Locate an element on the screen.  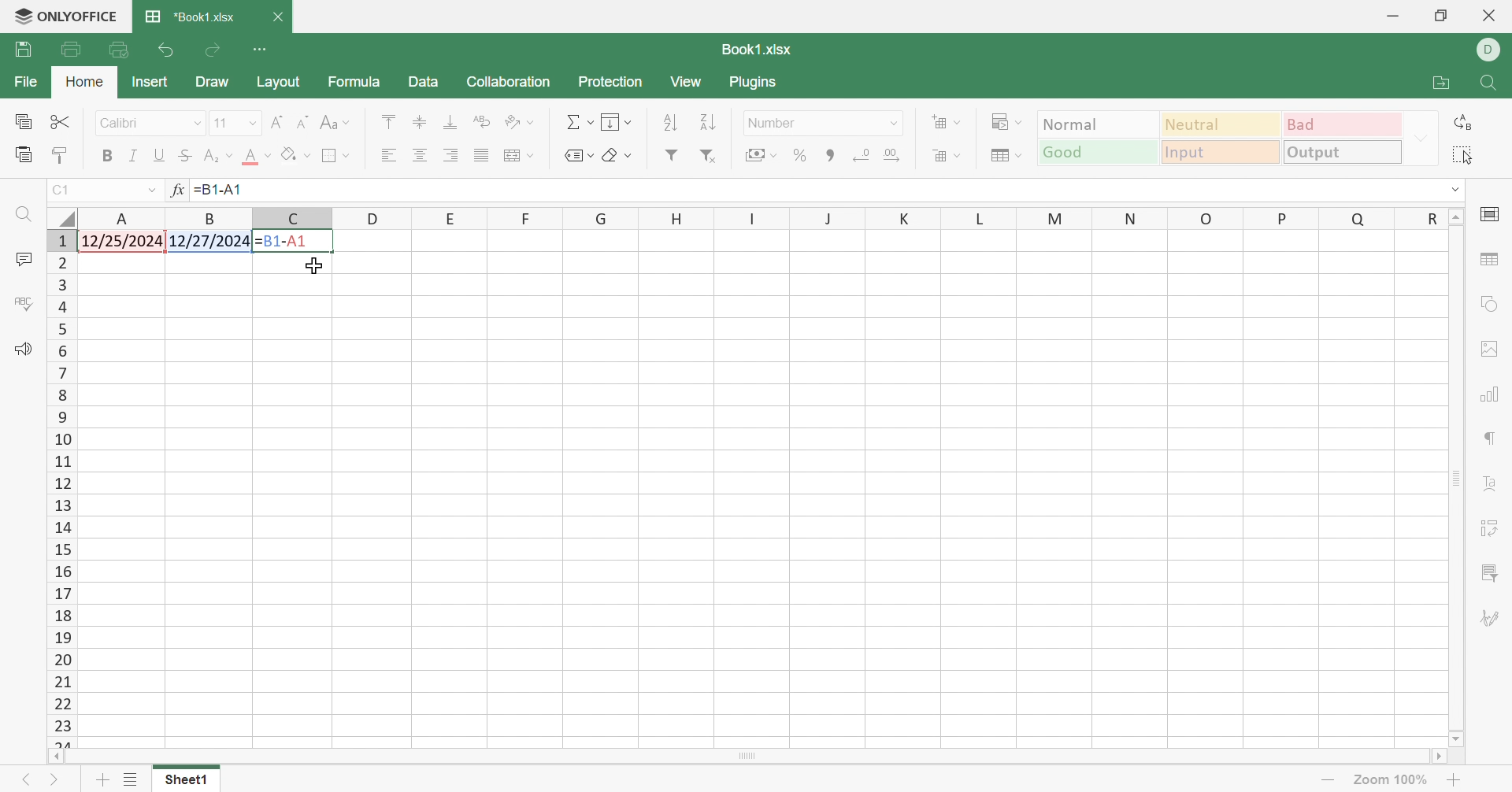
Plugins is located at coordinates (755, 85).